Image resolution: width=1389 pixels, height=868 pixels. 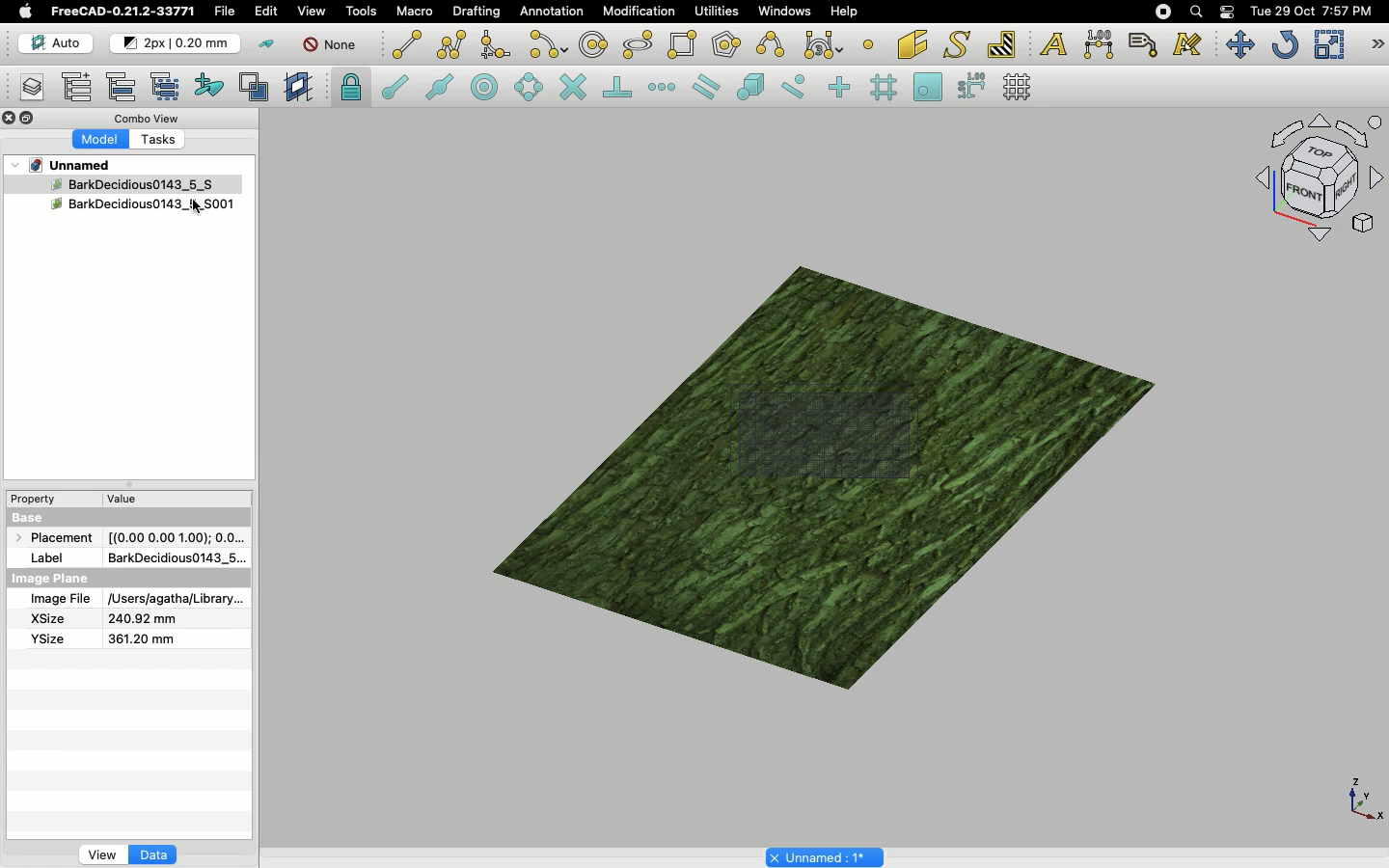 What do you see at coordinates (164, 141) in the screenshot?
I see `Tasks` at bounding box center [164, 141].